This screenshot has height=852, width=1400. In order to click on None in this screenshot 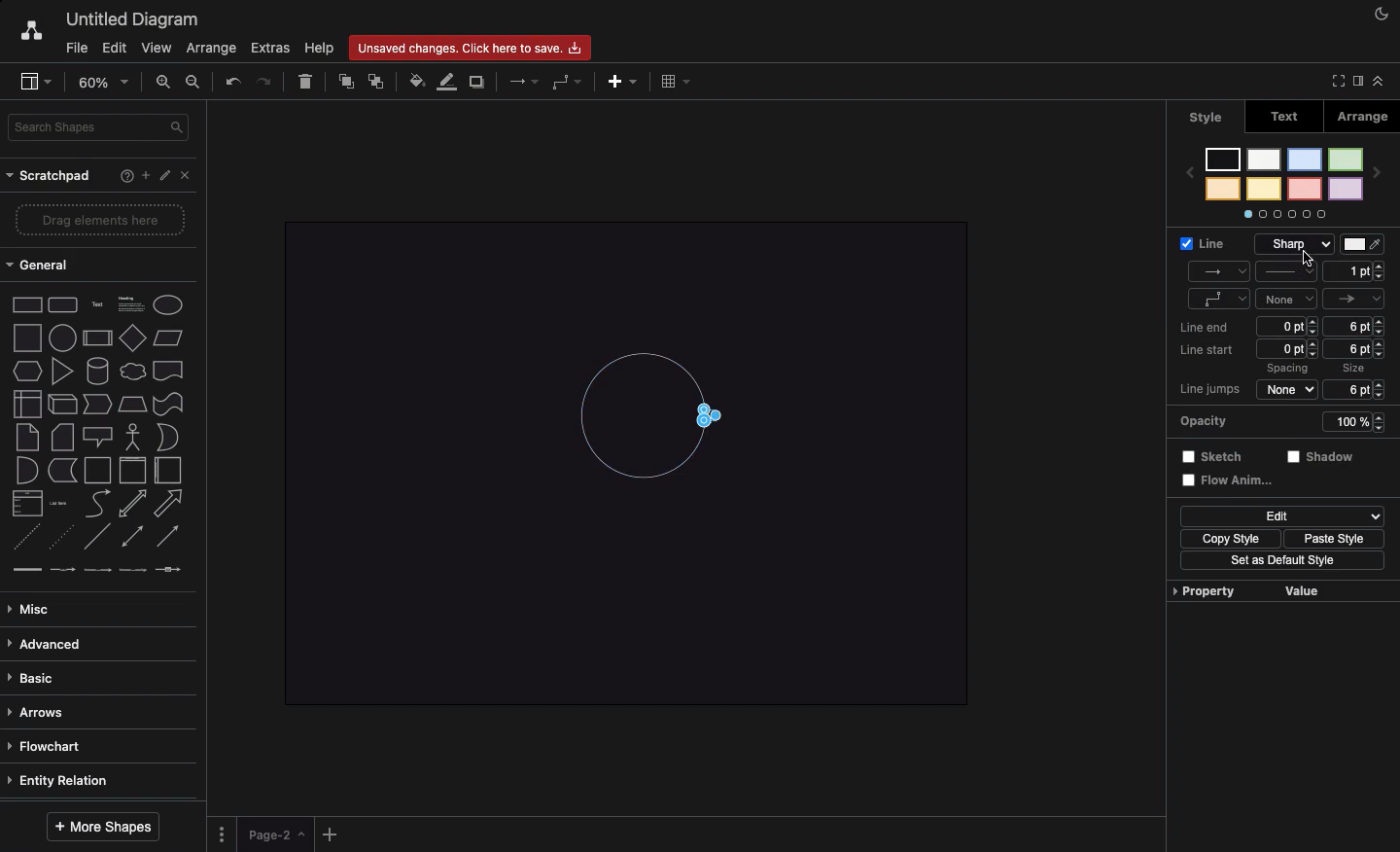, I will do `click(1290, 387)`.